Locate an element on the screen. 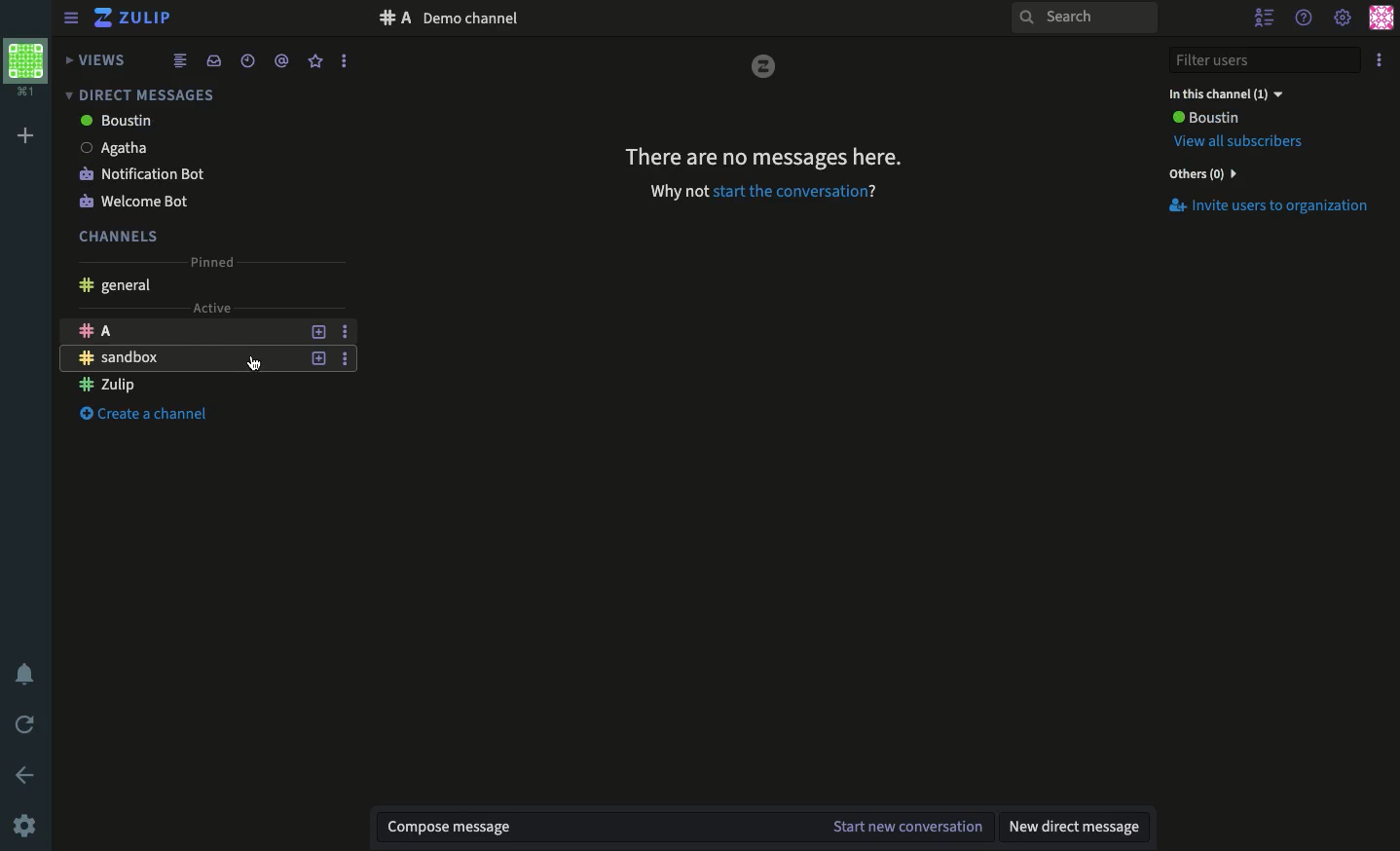  Options is located at coordinates (343, 61).